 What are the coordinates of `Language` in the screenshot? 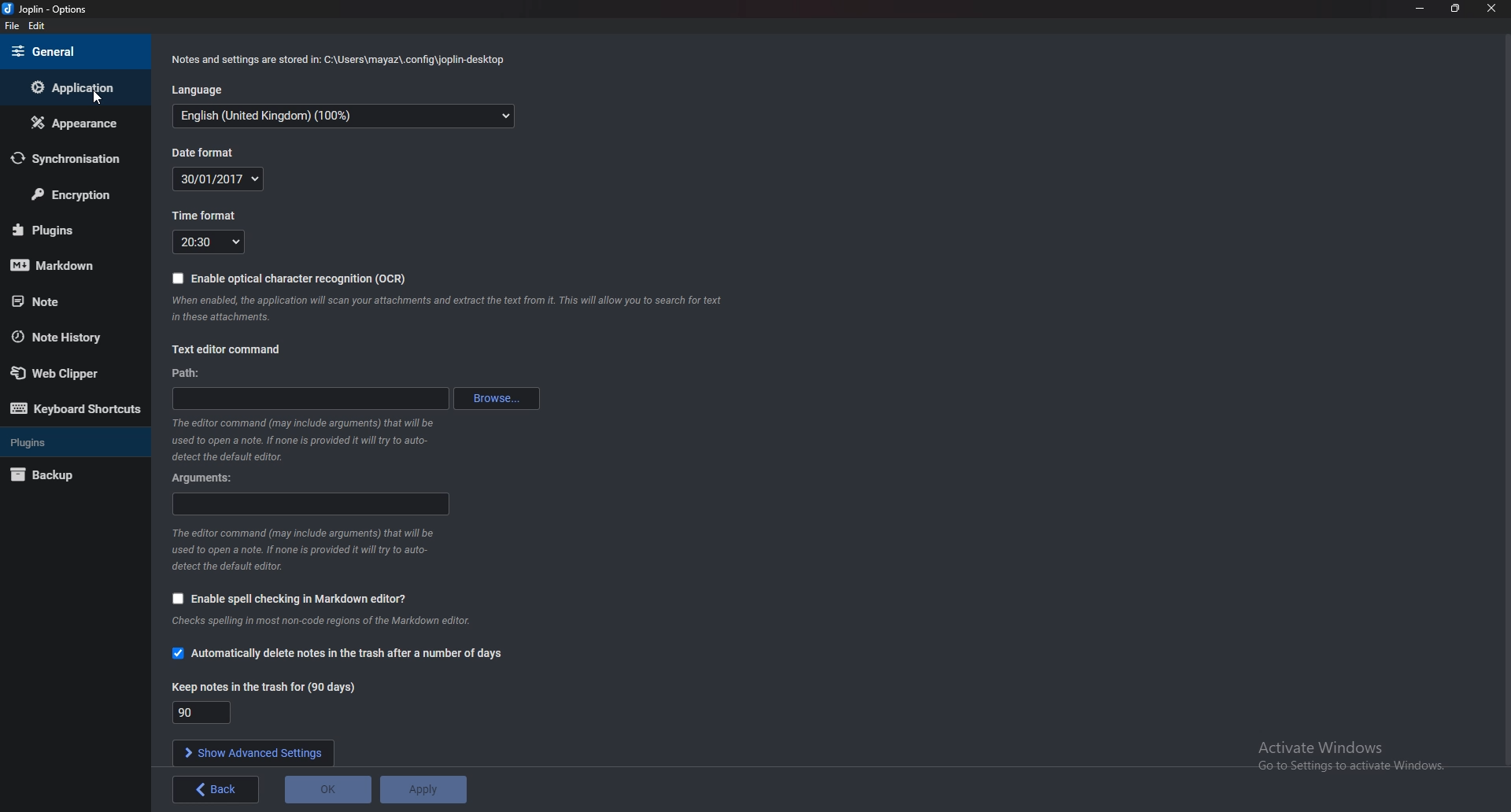 It's located at (199, 90).